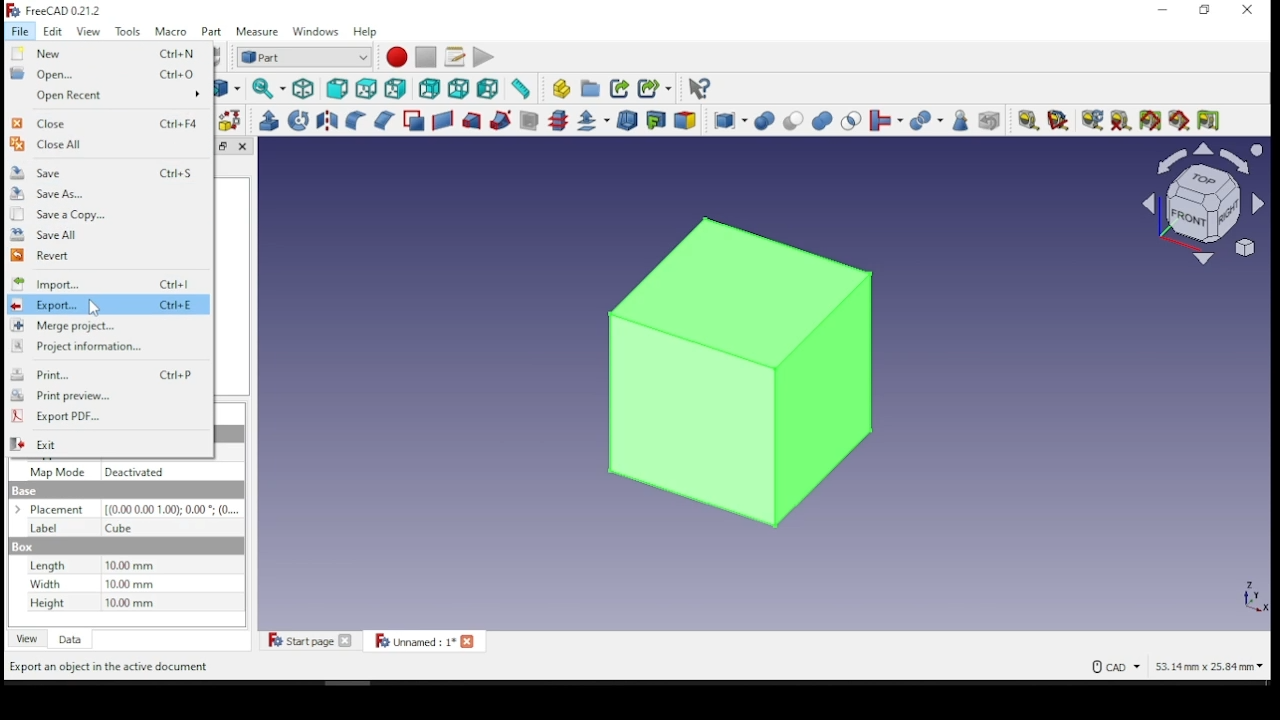  I want to click on part, so click(214, 31).